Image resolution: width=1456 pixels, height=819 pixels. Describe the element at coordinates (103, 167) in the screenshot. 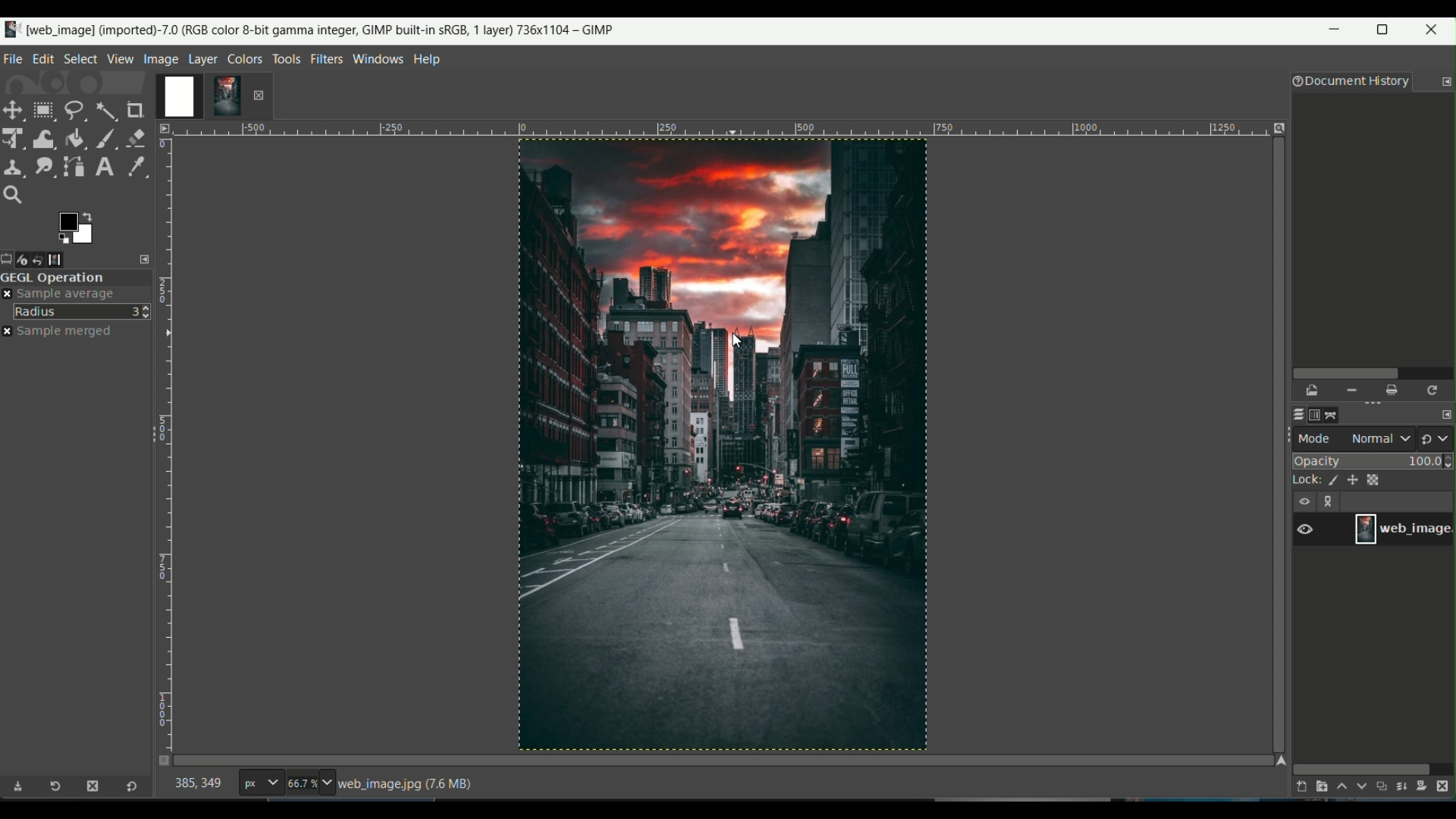

I see `text tool` at that location.